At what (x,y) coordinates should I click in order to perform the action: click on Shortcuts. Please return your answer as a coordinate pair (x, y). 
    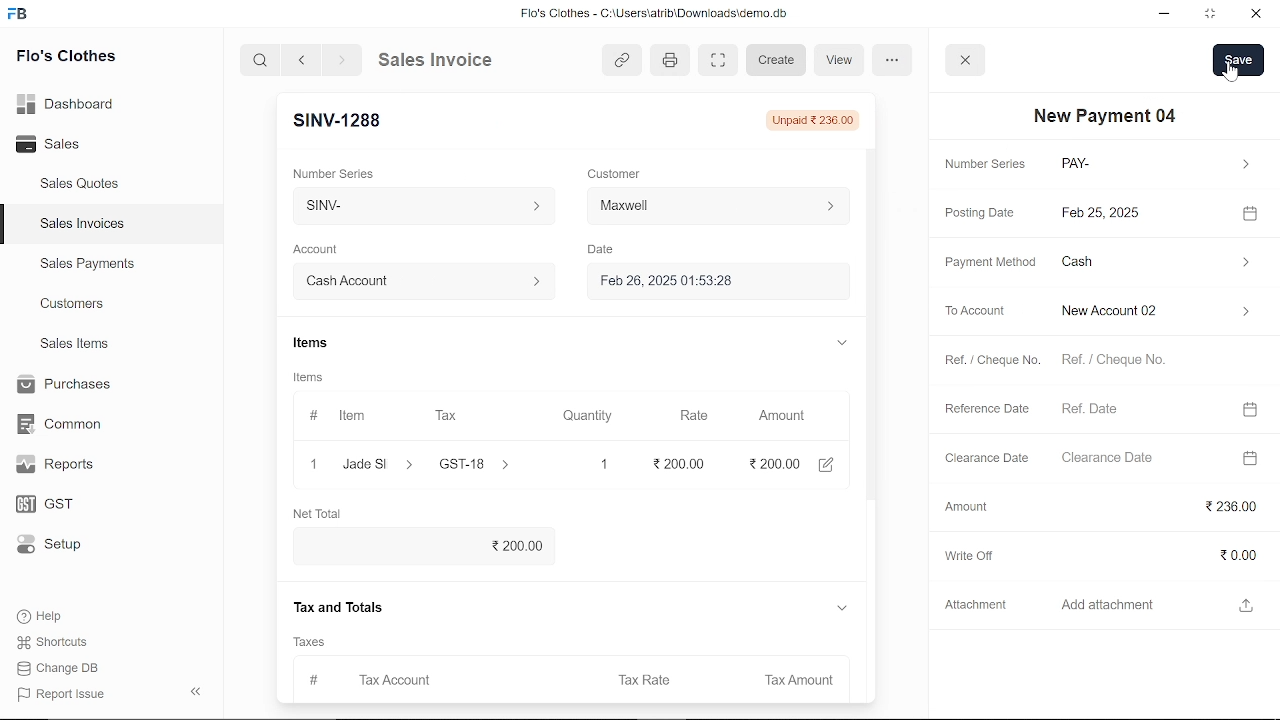
    Looking at the image, I should click on (63, 643).